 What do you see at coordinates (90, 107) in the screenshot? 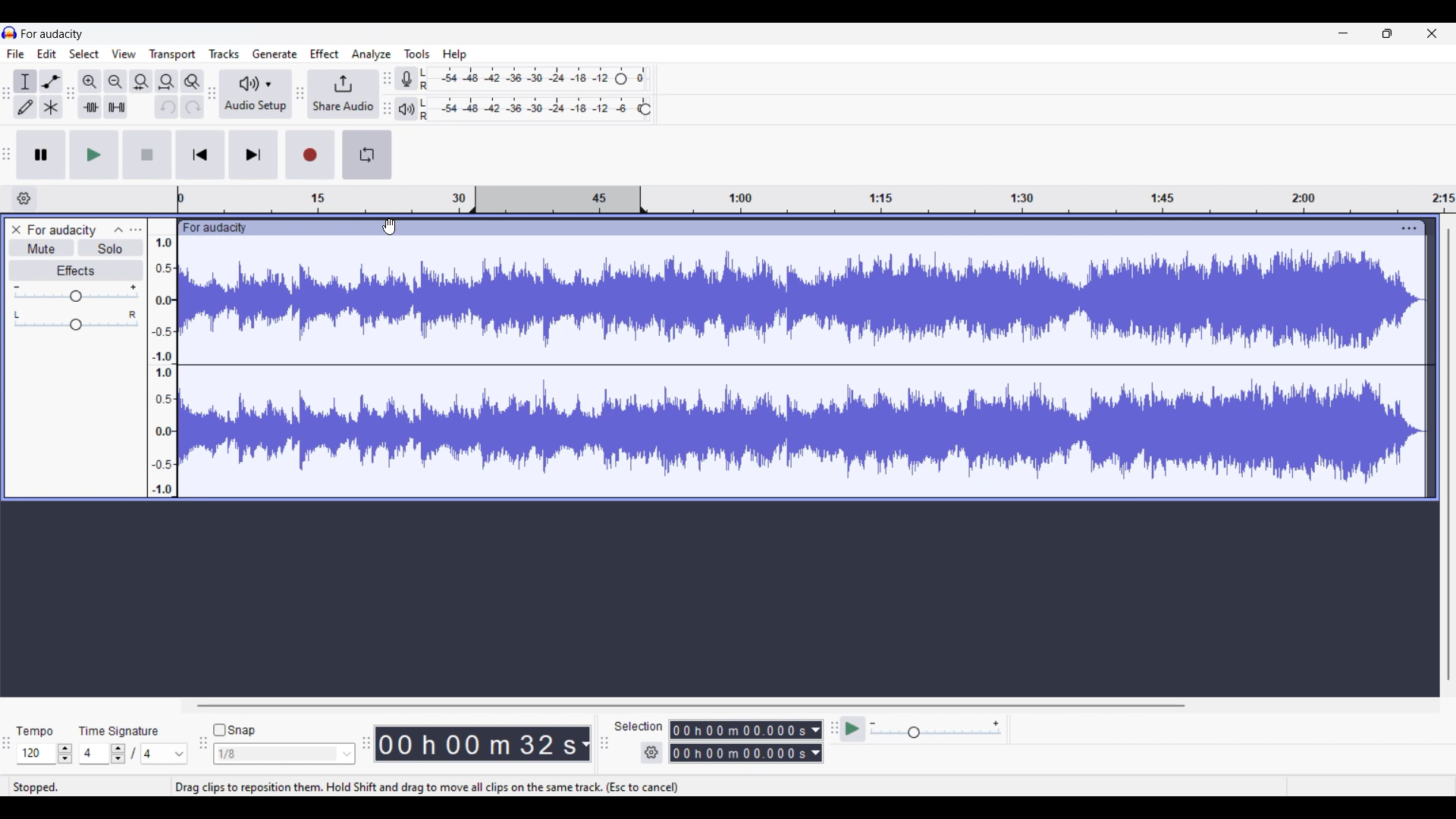
I see `Trim audio outside selection` at bounding box center [90, 107].